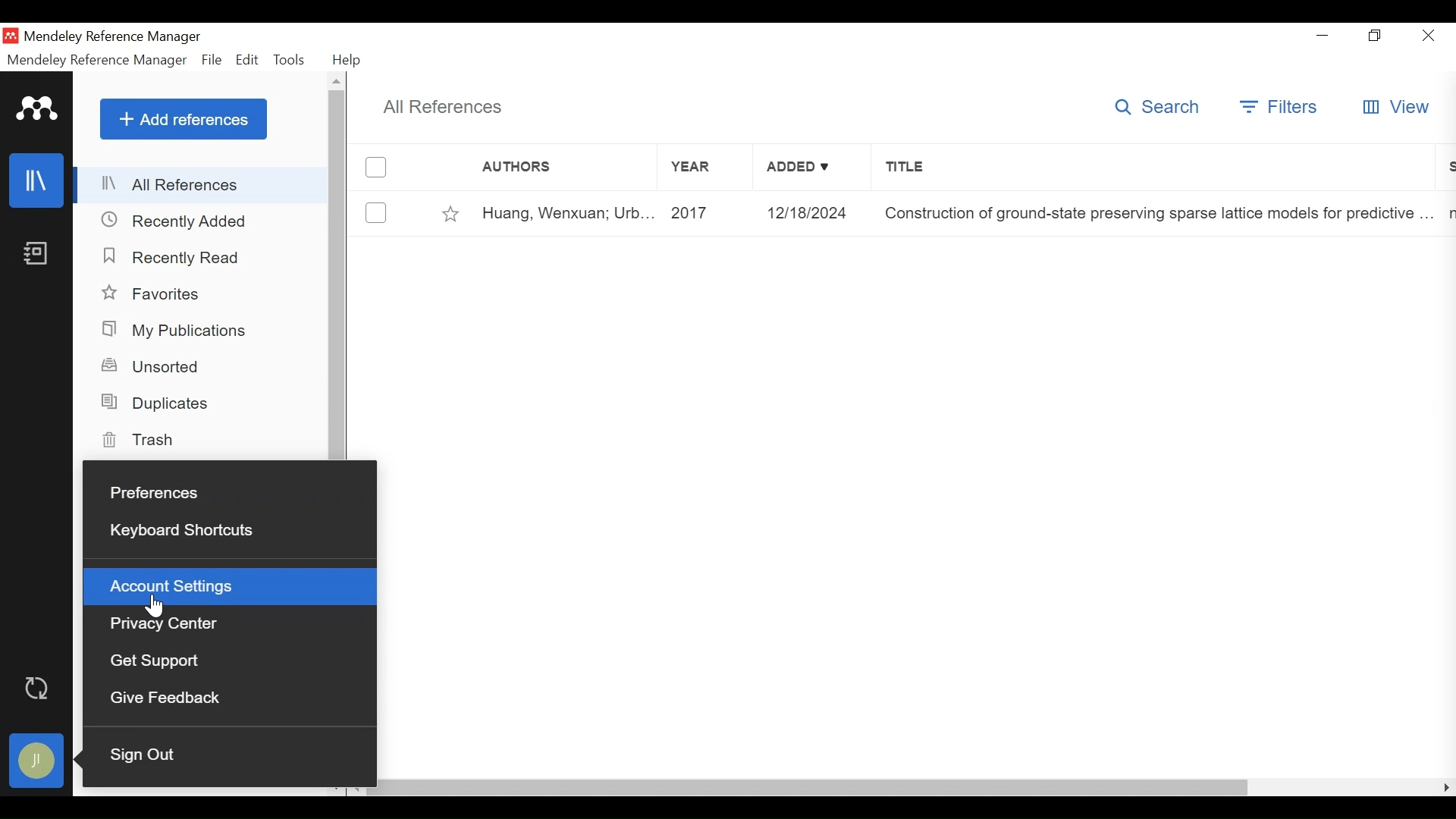 The width and height of the screenshot is (1456, 819). I want to click on Keyboards Shortcuts, so click(224, 532).